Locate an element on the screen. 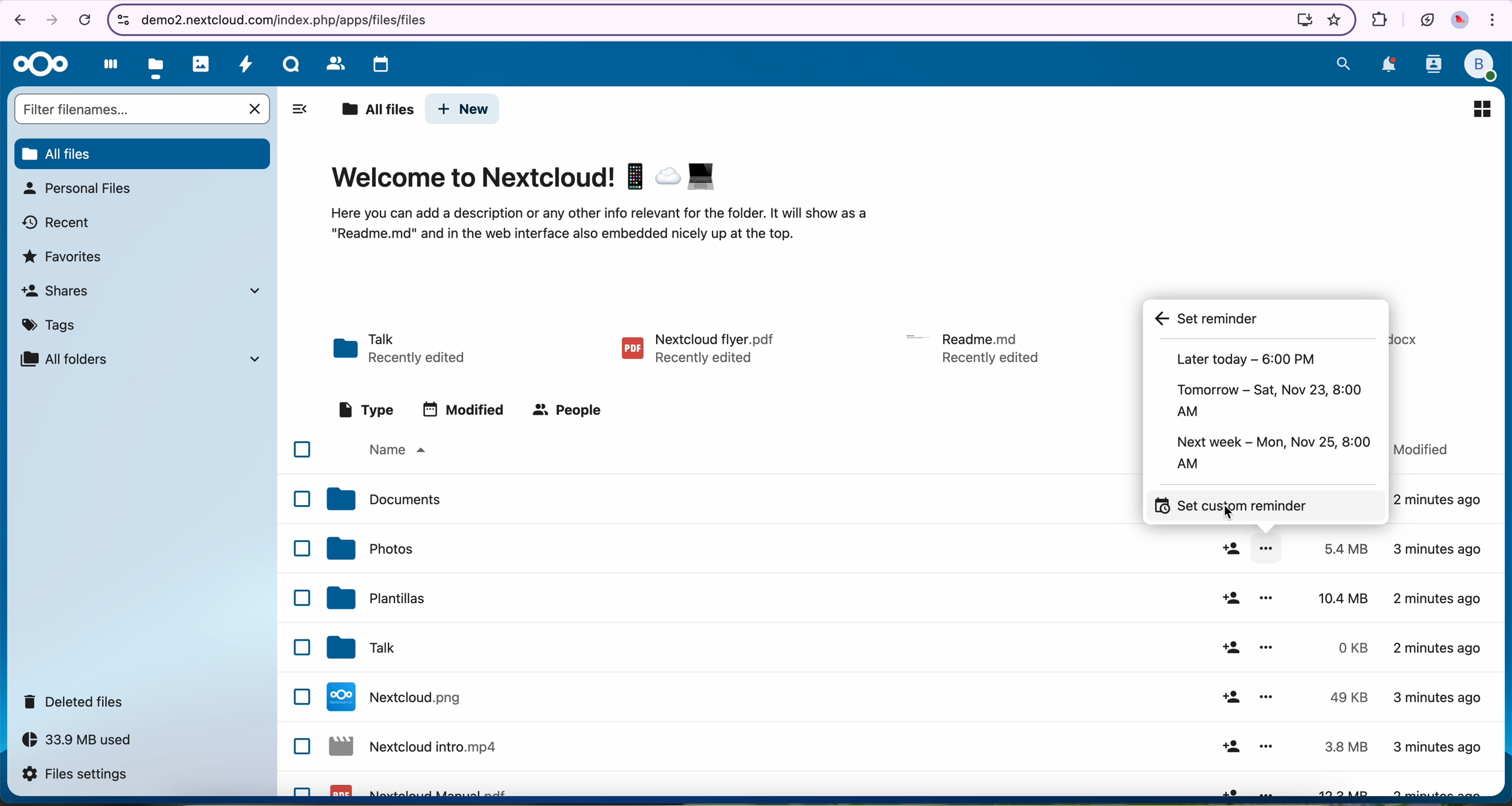 The image size is (1512, 806). more options is located at coordinates (1266, 698).